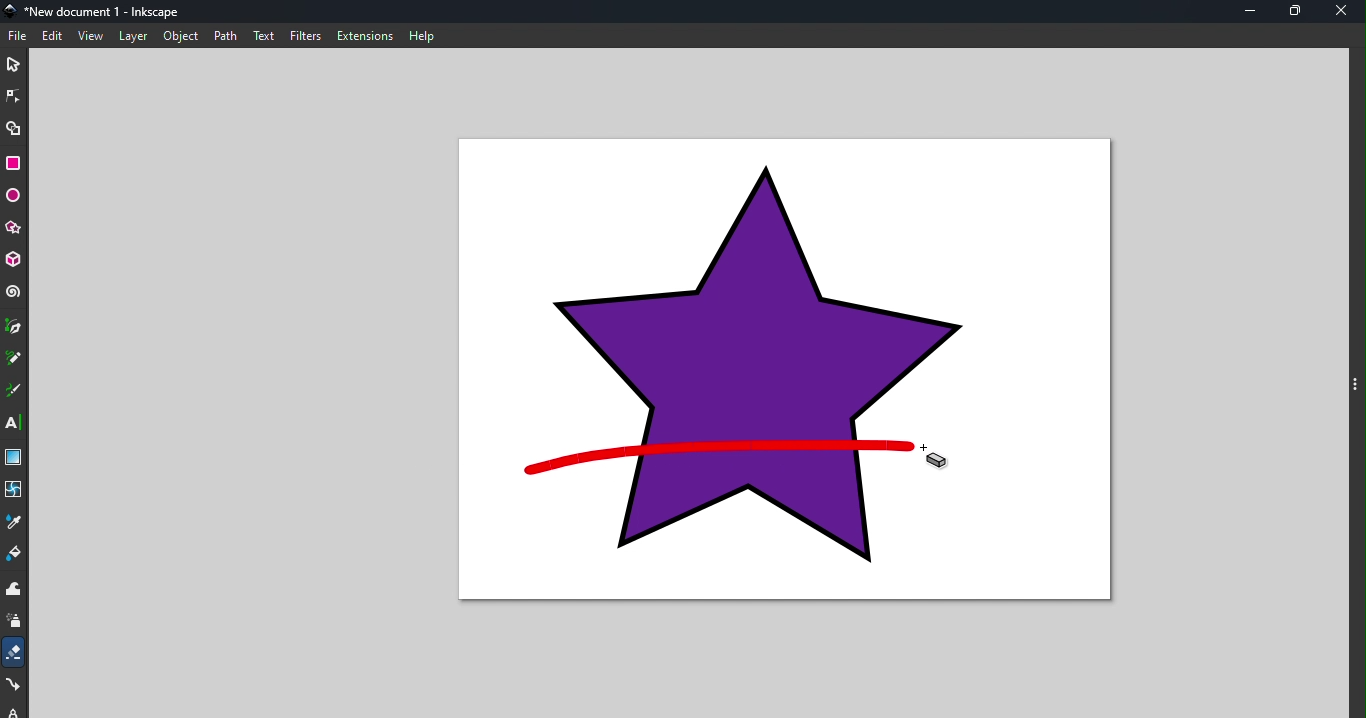 This screenshot has height=718, width=1366. Describe the element at coordinates (14, 422) in the screenshot. I see `text tool` at that location.